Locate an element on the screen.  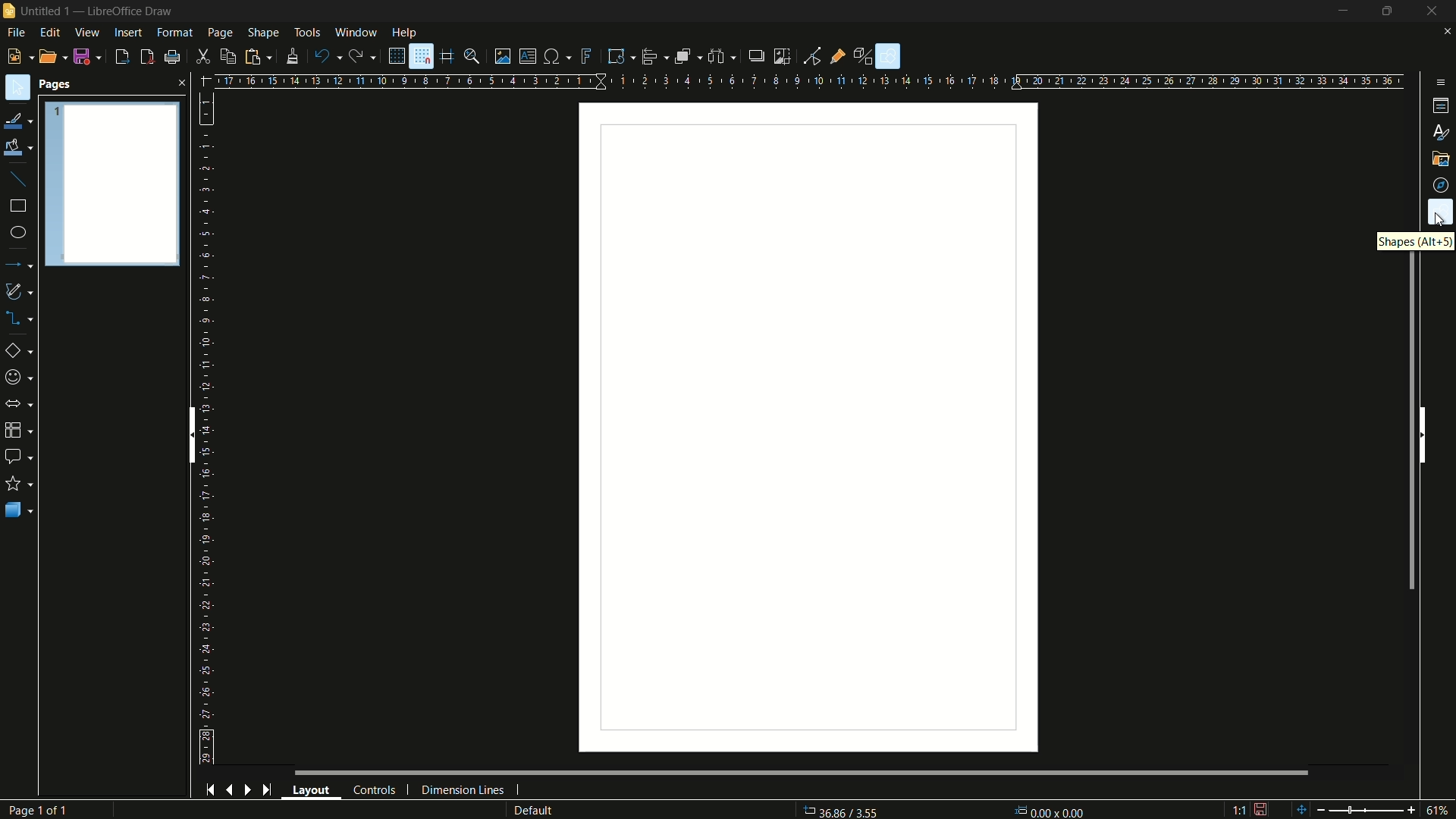
align objects is located at coordinates (655, 55).